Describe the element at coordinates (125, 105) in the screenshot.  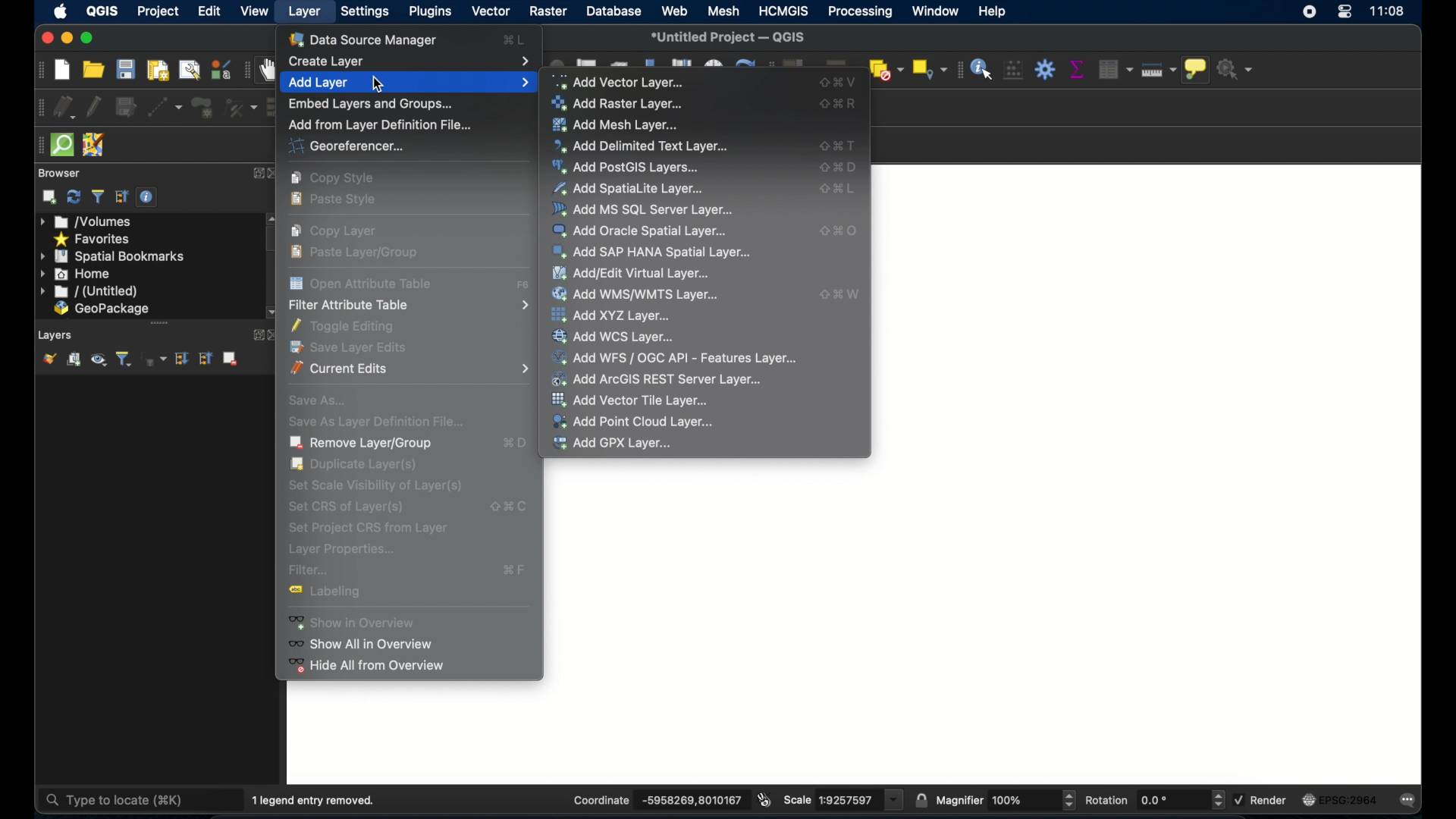
I see `save layer edits` at that location.